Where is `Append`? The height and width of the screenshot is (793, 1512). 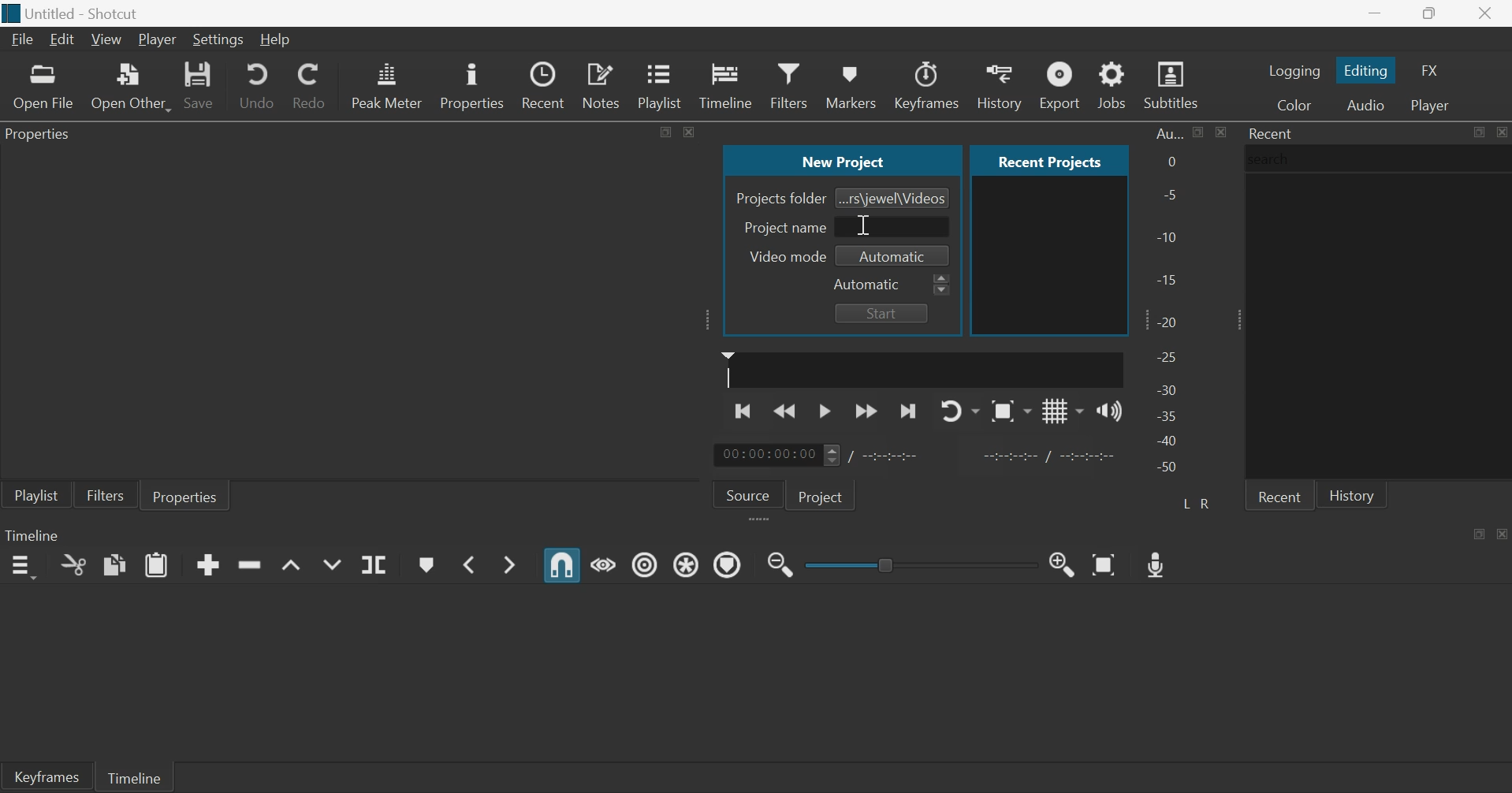
Append is located at coordinates (208, 564).